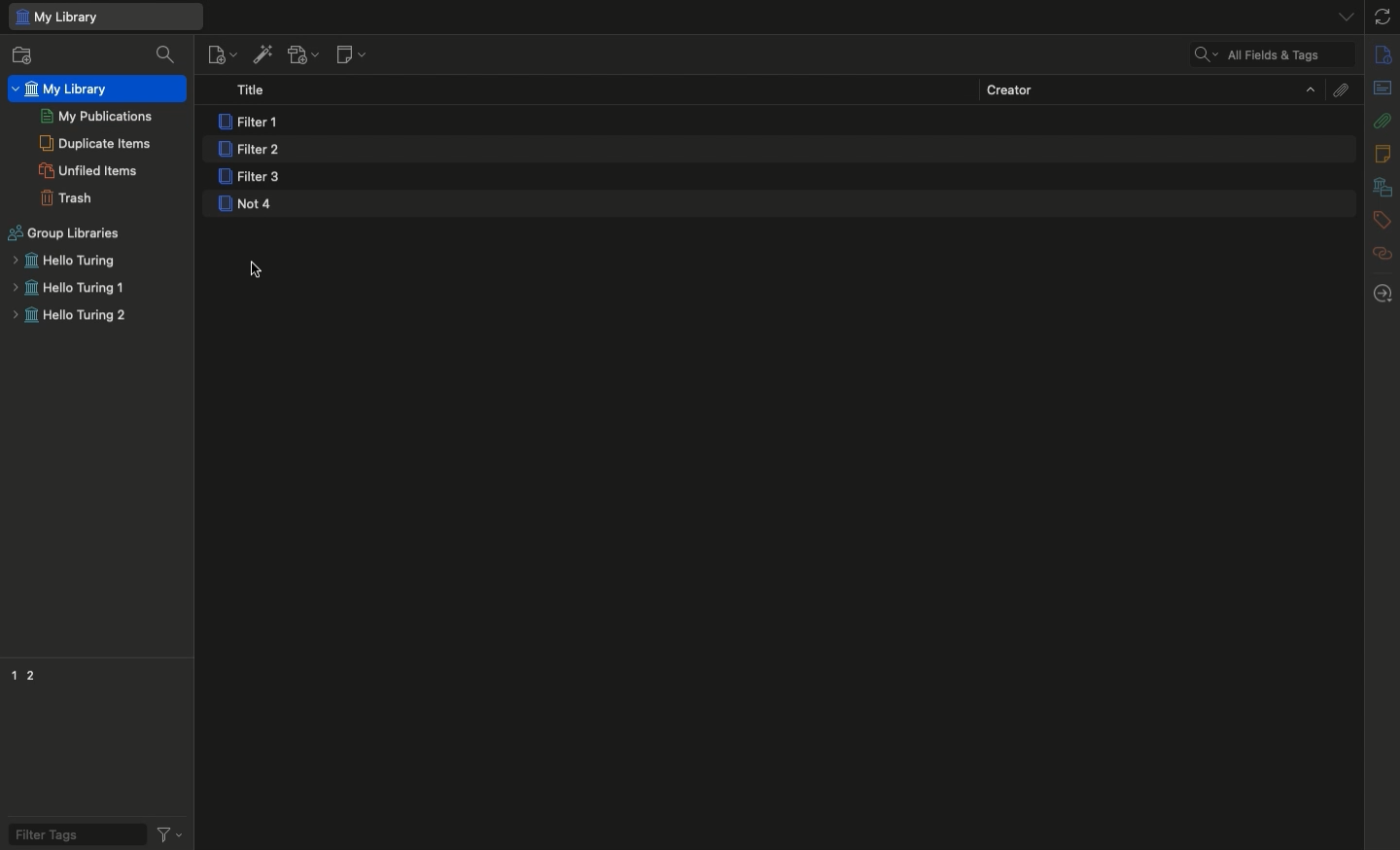  I want to click on Sync, so click(1383, 17).